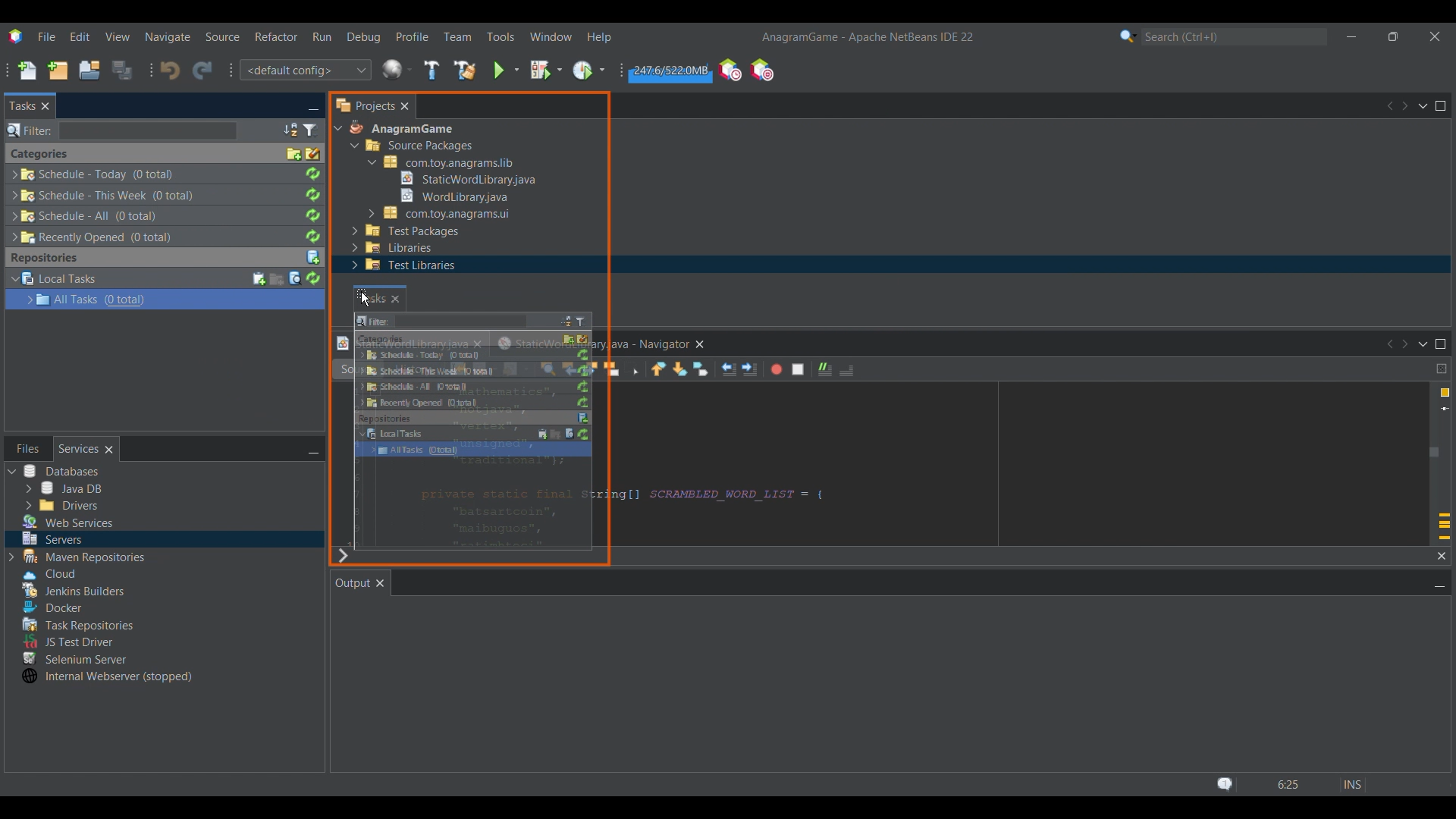 This screenshot has height=819, width=1456. What do you see at coordinates (729, 369) in the screenshot?
I see `Shift line left` at bounding box center [729, 369].